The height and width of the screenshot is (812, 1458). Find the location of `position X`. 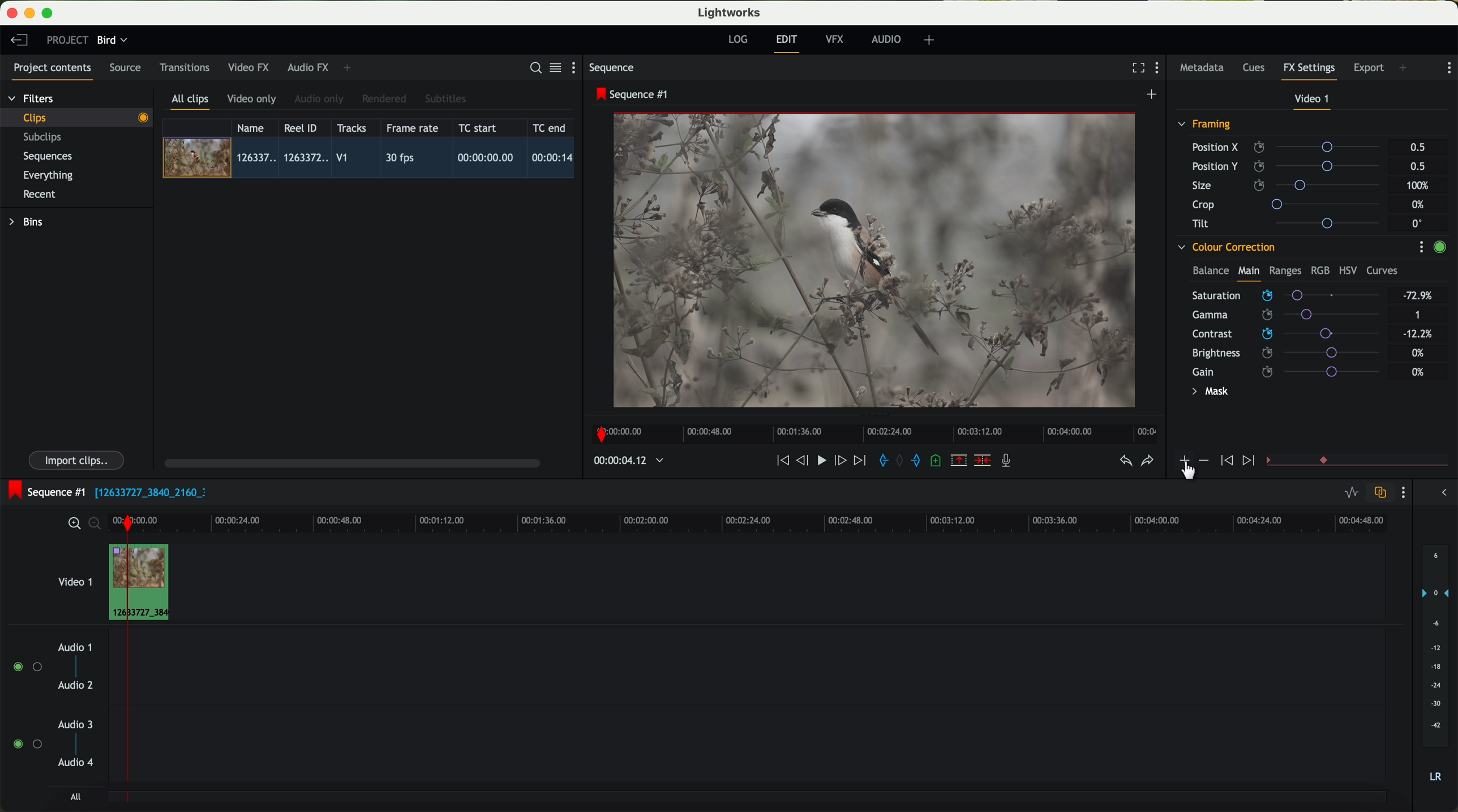

position X is located at coordinates (1290, 147).